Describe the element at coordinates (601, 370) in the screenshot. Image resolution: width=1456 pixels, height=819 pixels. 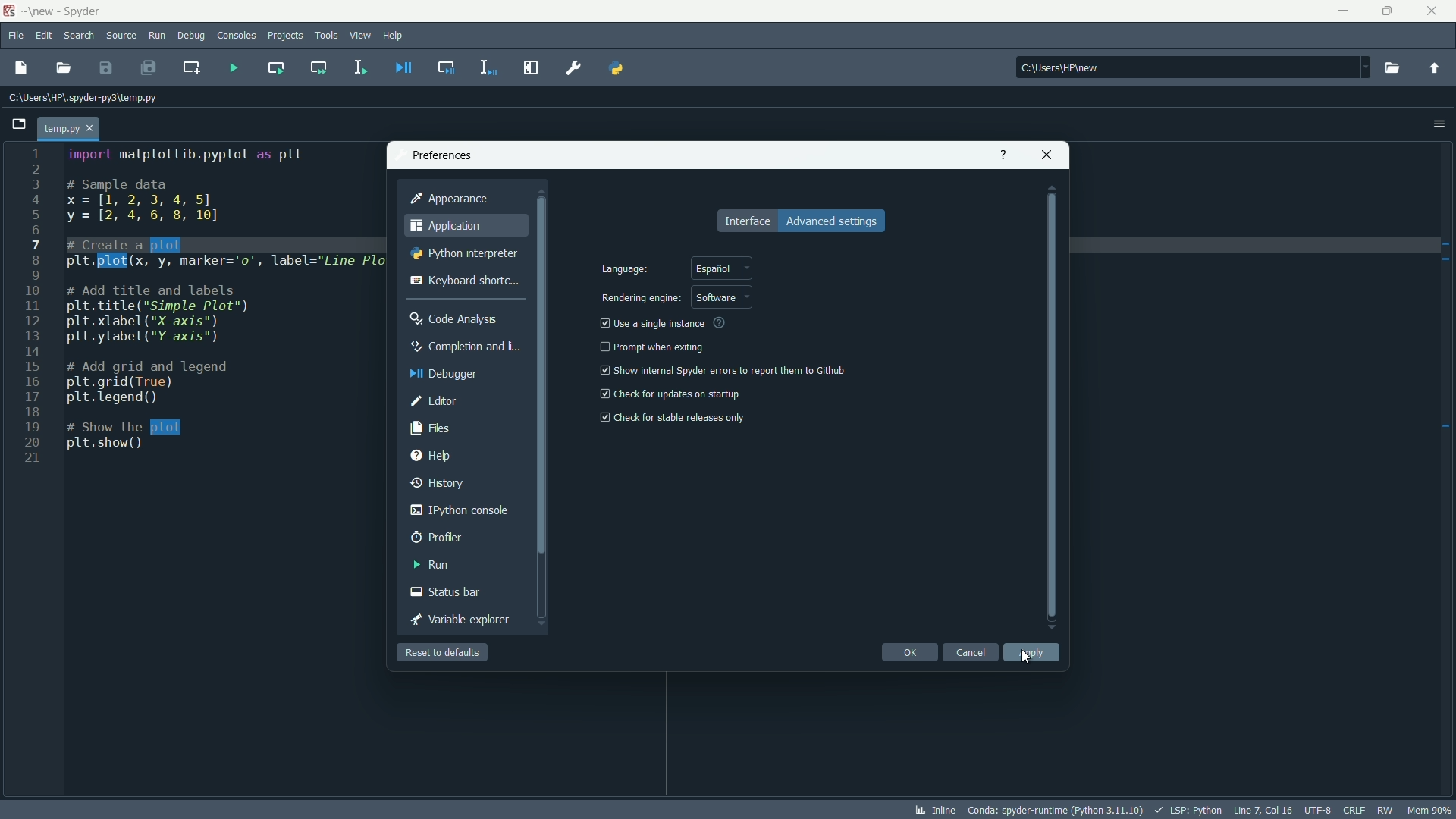
I see `checkbox` at that location.